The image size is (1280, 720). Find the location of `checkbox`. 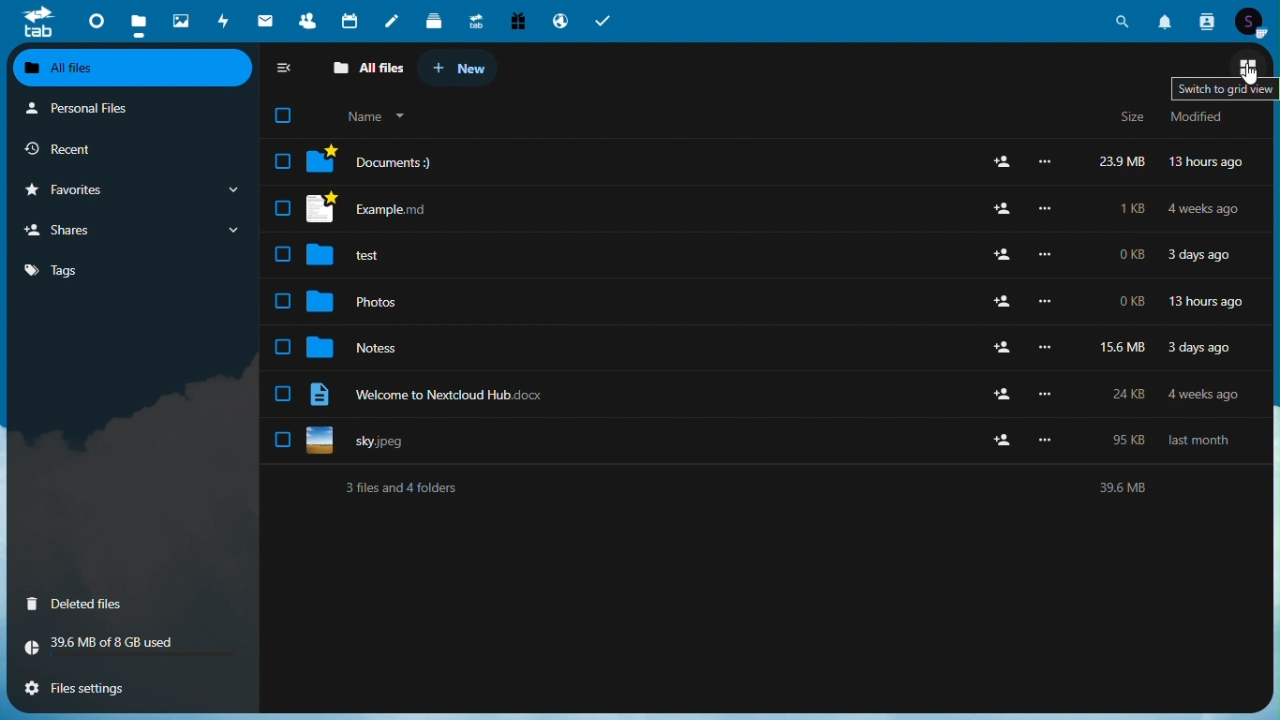

checkbox is located at coordinates (283, 347).